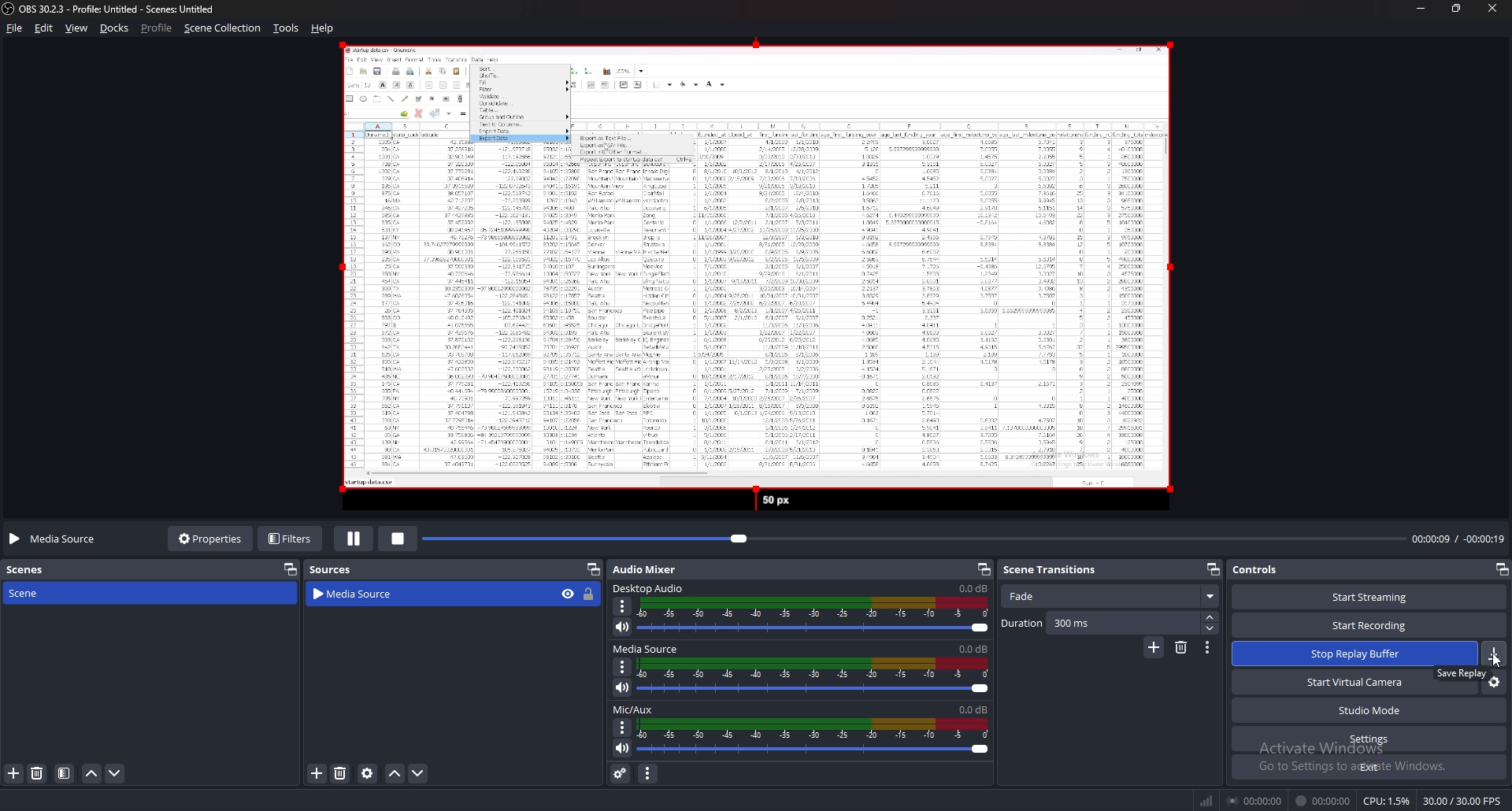 Image resolution: width=1512 pixels, height=811 pixels. Describe the element at coordinates (1462, 801) in the screenshot. I see `30.00 / 30.00 FPS` at that location.